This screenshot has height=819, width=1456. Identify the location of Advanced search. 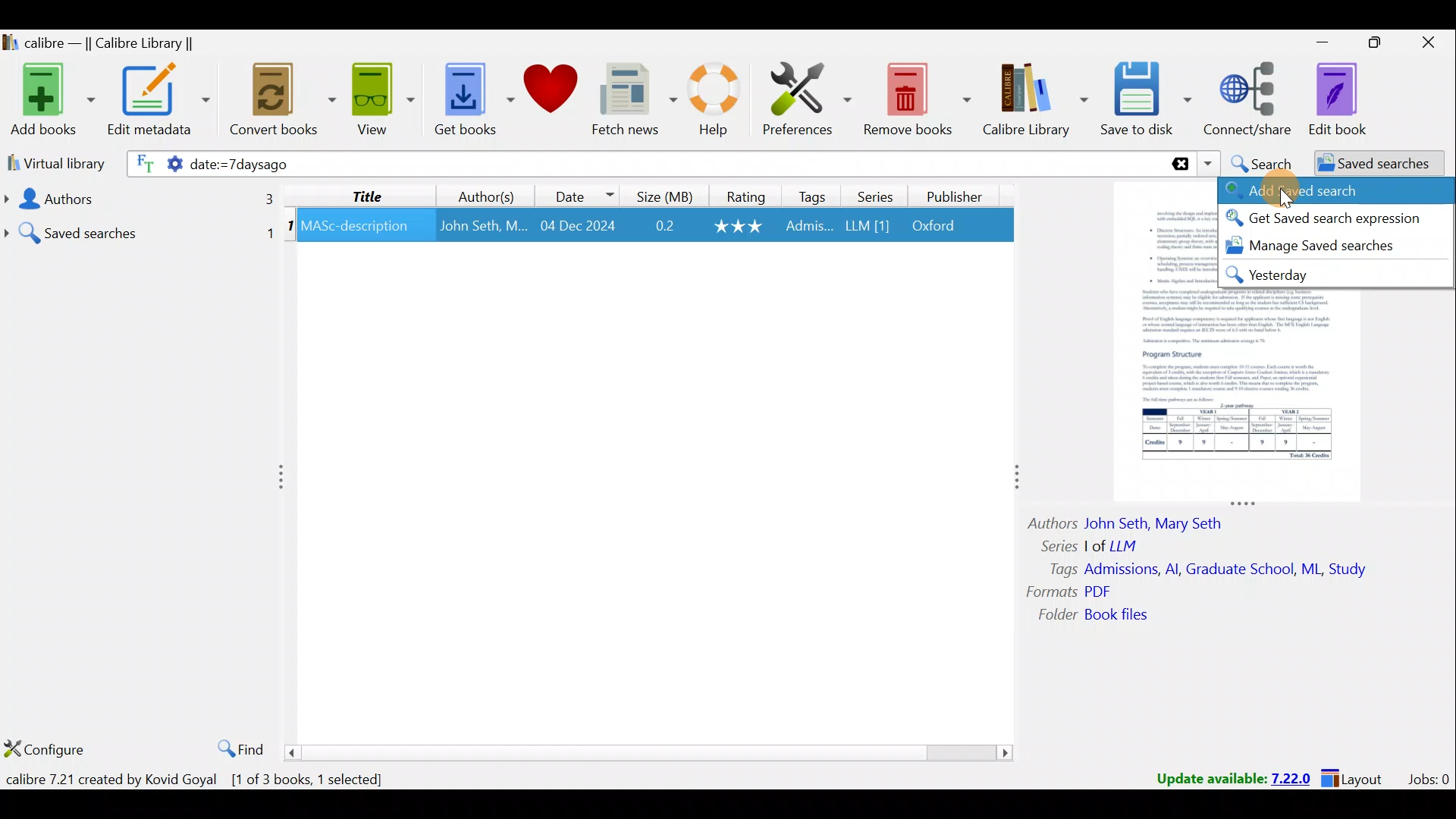
(1335, 193).